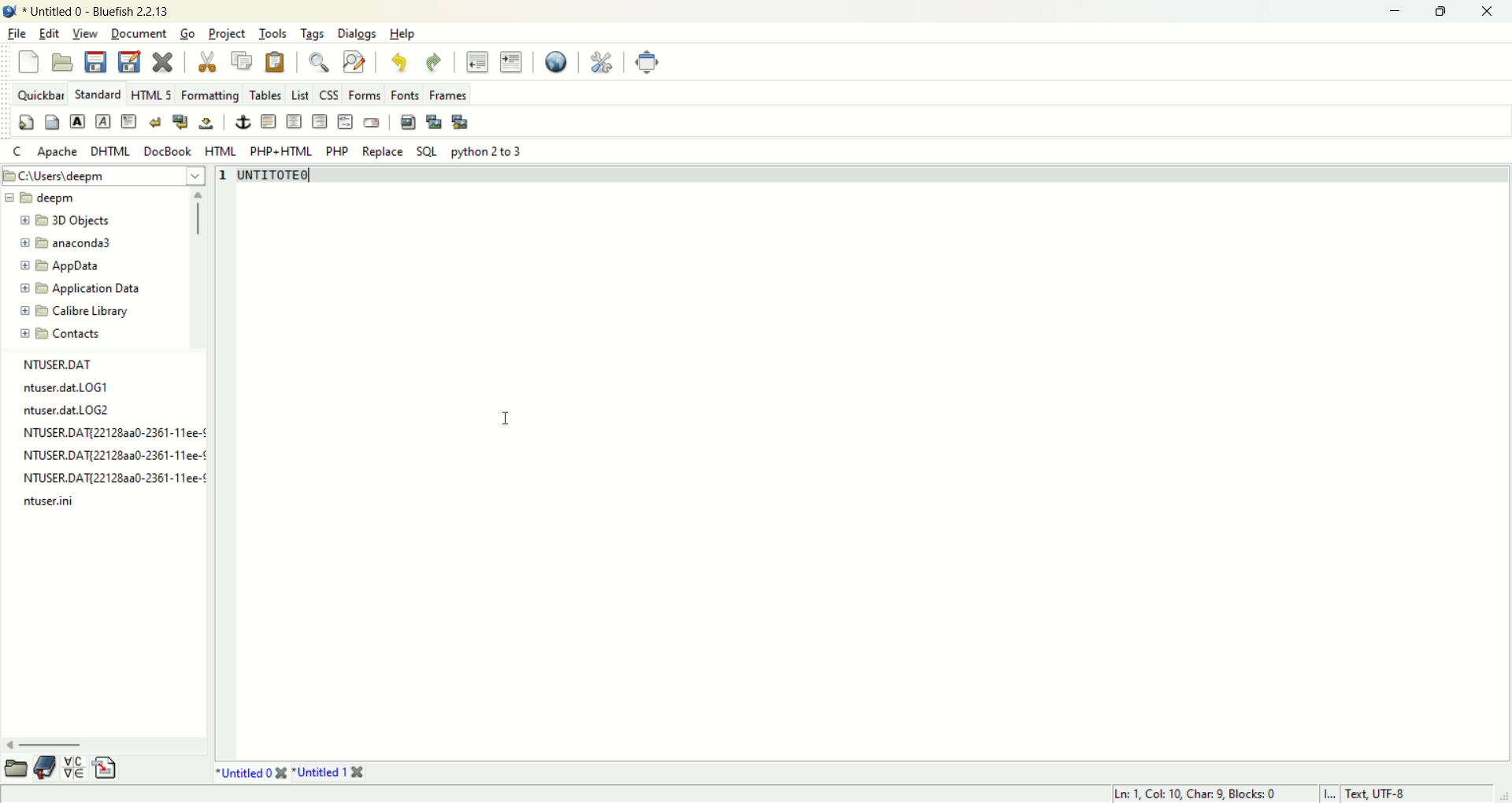 This screenshot has height=803, width=1512. What do you see at coordinates (450, 94) in the screenshot?
I see `frames` at bounding box center [450, 94].